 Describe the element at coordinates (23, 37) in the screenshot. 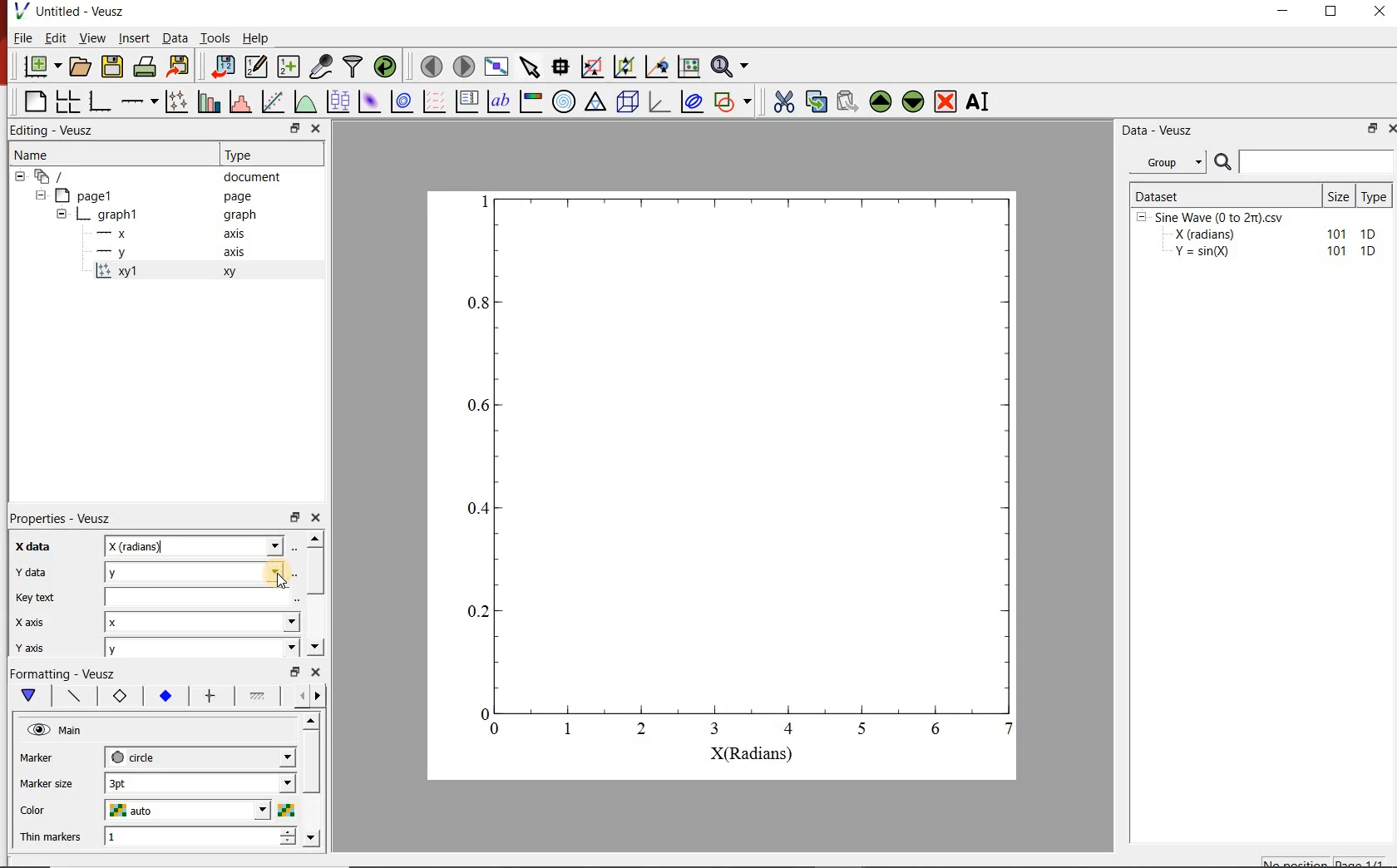

I see `File` at that location.